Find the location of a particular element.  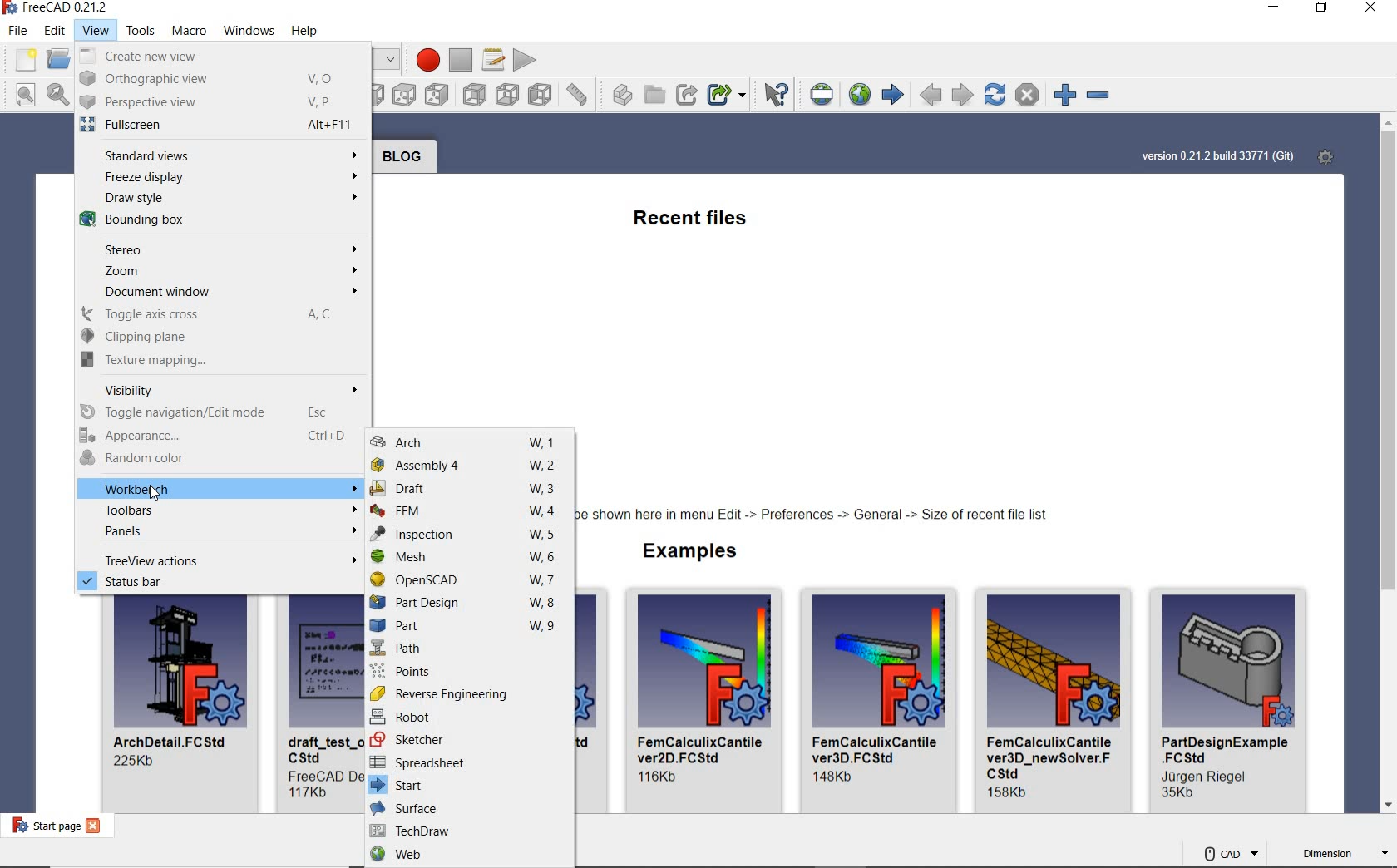

start page preferences is located at coordinates (1329, 158).